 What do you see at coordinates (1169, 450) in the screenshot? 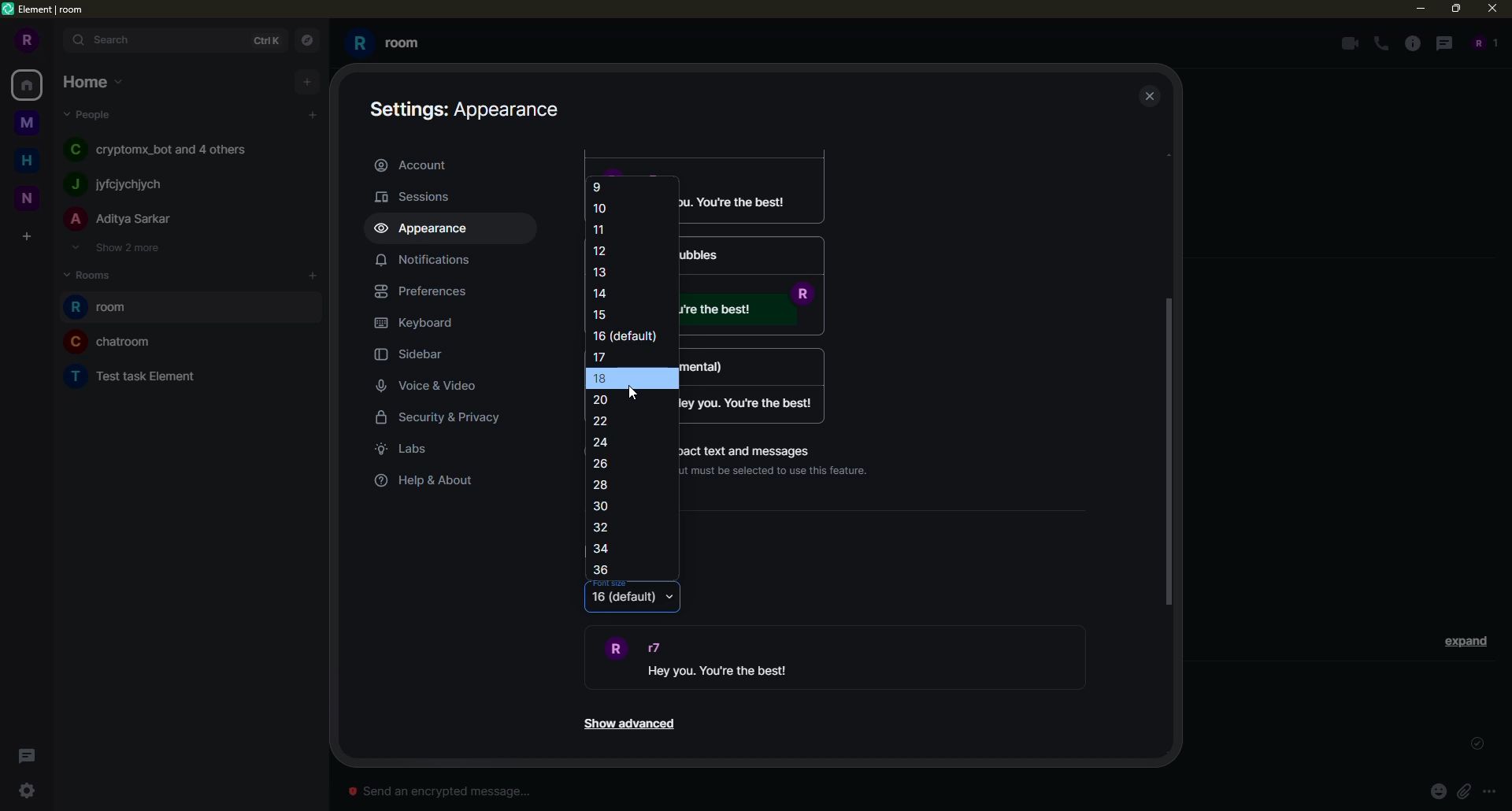
I see `drag` at bounding box center [1169, 450].